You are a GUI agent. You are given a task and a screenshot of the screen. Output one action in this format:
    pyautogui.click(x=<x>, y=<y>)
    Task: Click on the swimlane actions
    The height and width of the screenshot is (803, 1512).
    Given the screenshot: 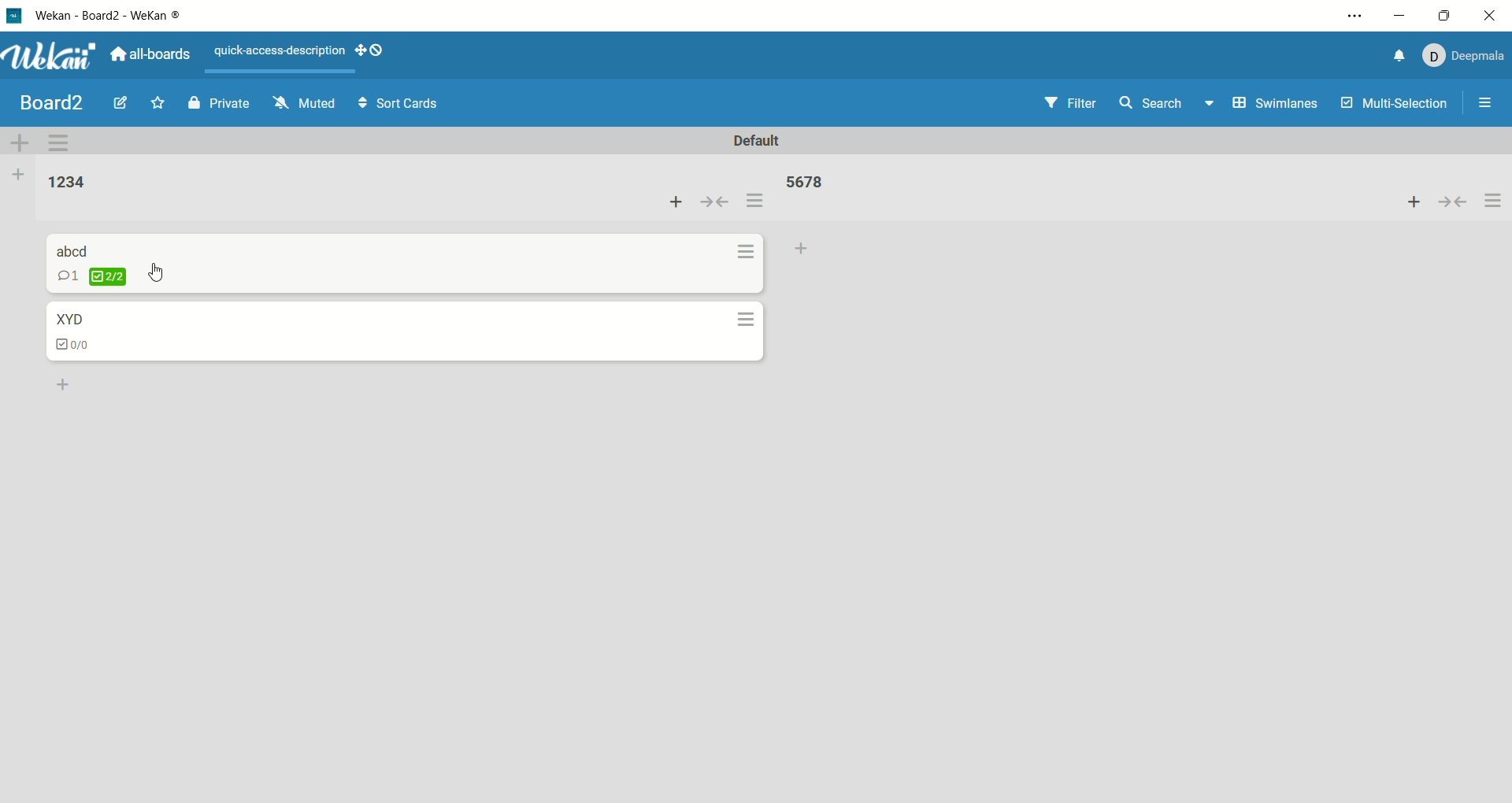 What is the action you would take?
    pyautogui.click(x=63, y=142)
    